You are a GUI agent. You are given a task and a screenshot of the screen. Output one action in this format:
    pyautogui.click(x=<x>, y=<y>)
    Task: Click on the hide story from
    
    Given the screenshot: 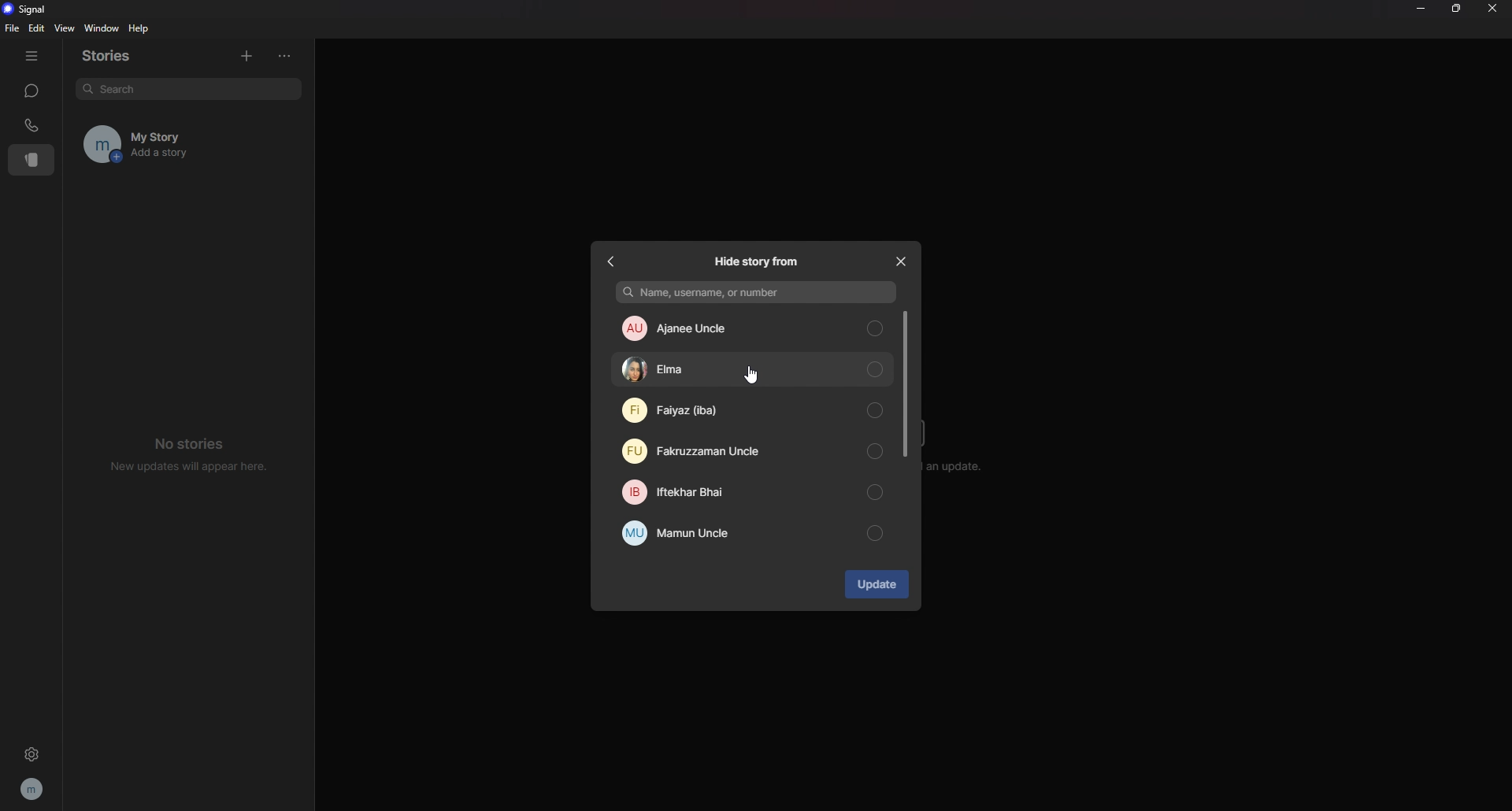 What is the action you would take?
    pyautogui.click(x=757, y=264)
    